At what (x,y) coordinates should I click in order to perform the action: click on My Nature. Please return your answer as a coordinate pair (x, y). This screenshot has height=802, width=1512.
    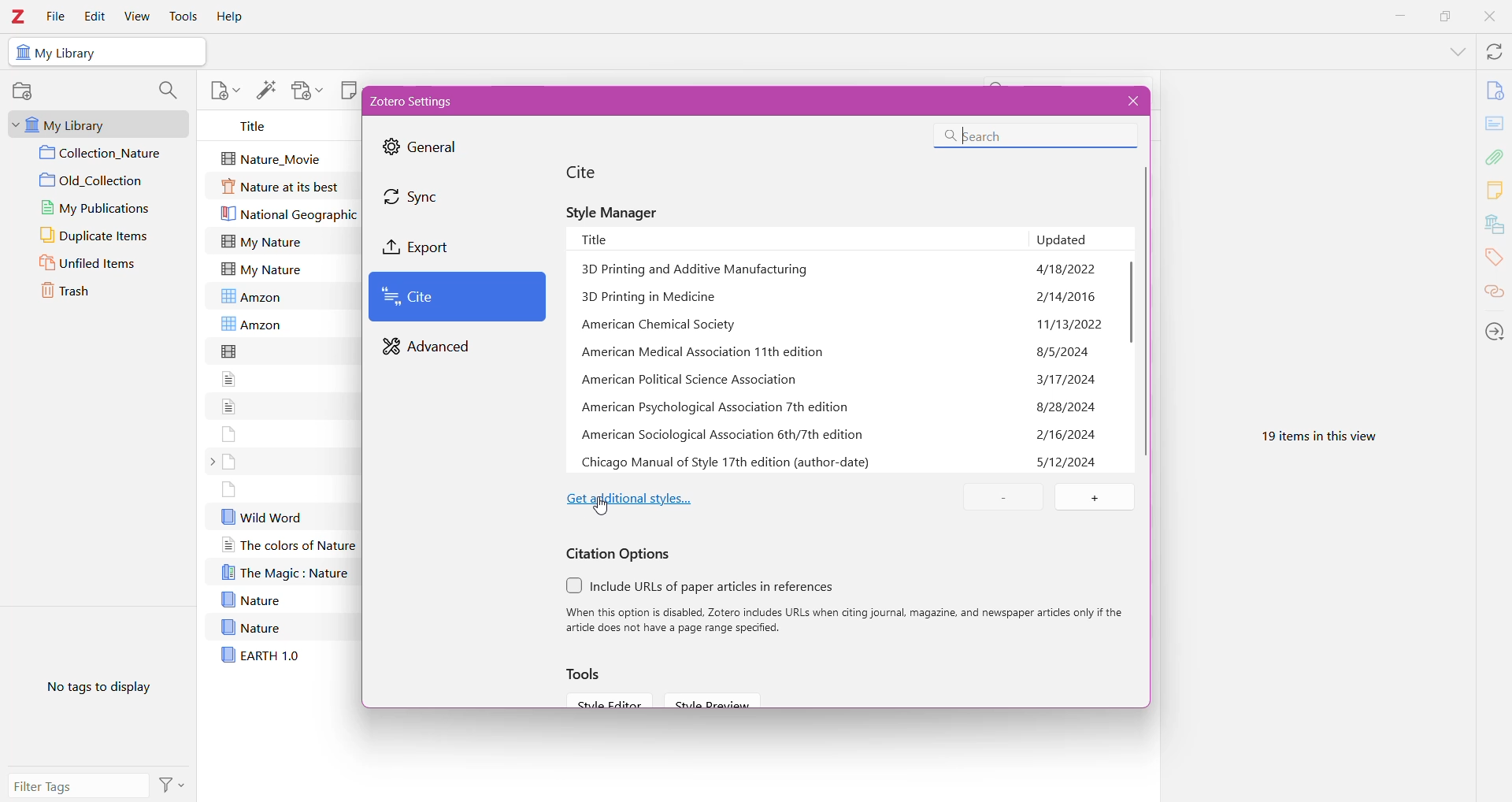
    Looking at the image, I should click on (261, 269).